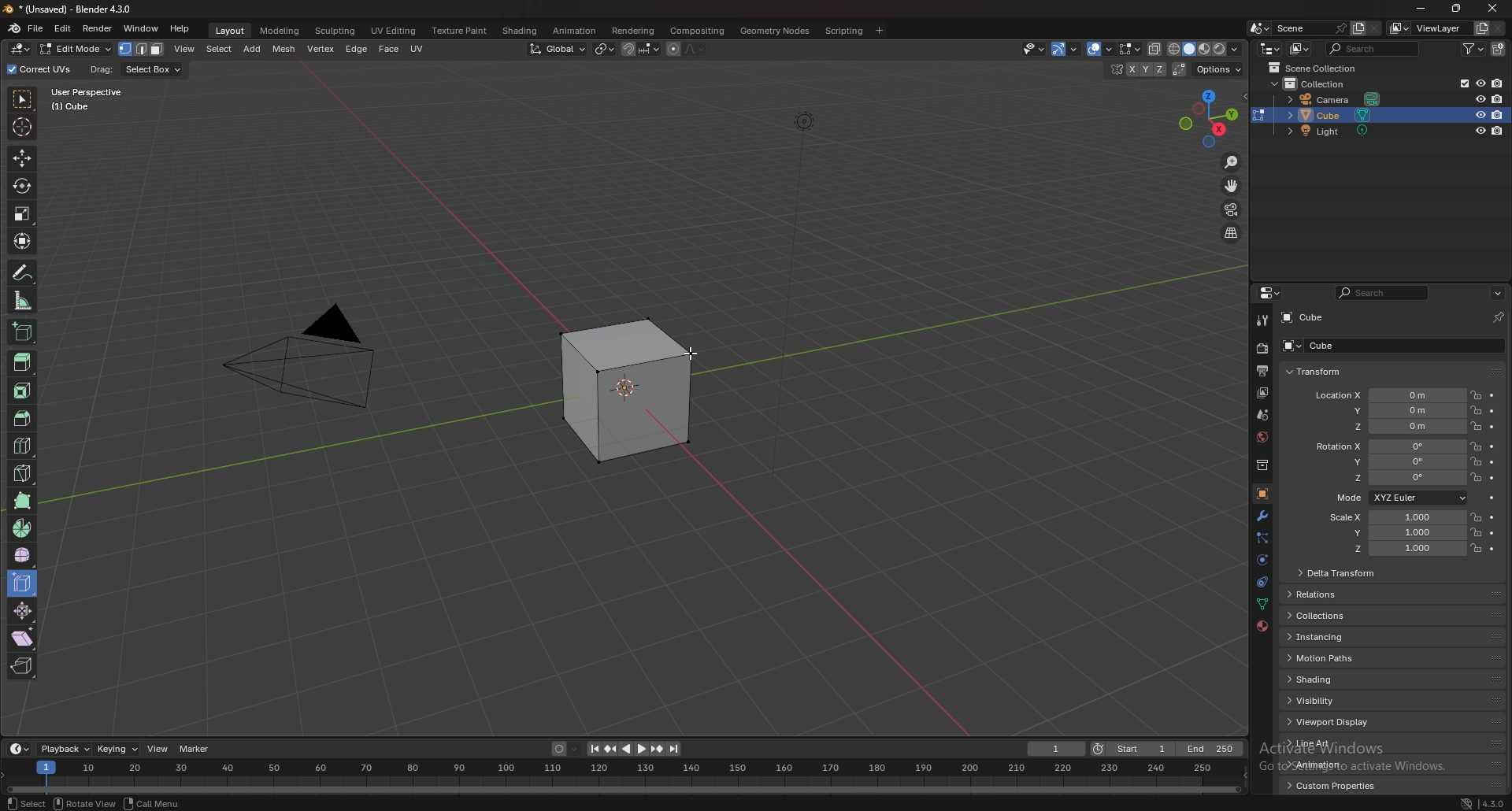 This screenshot has width=1512, height=811. Describe the element at coordinates (633, 748) in the screenshot. I see `play animation` at that location.